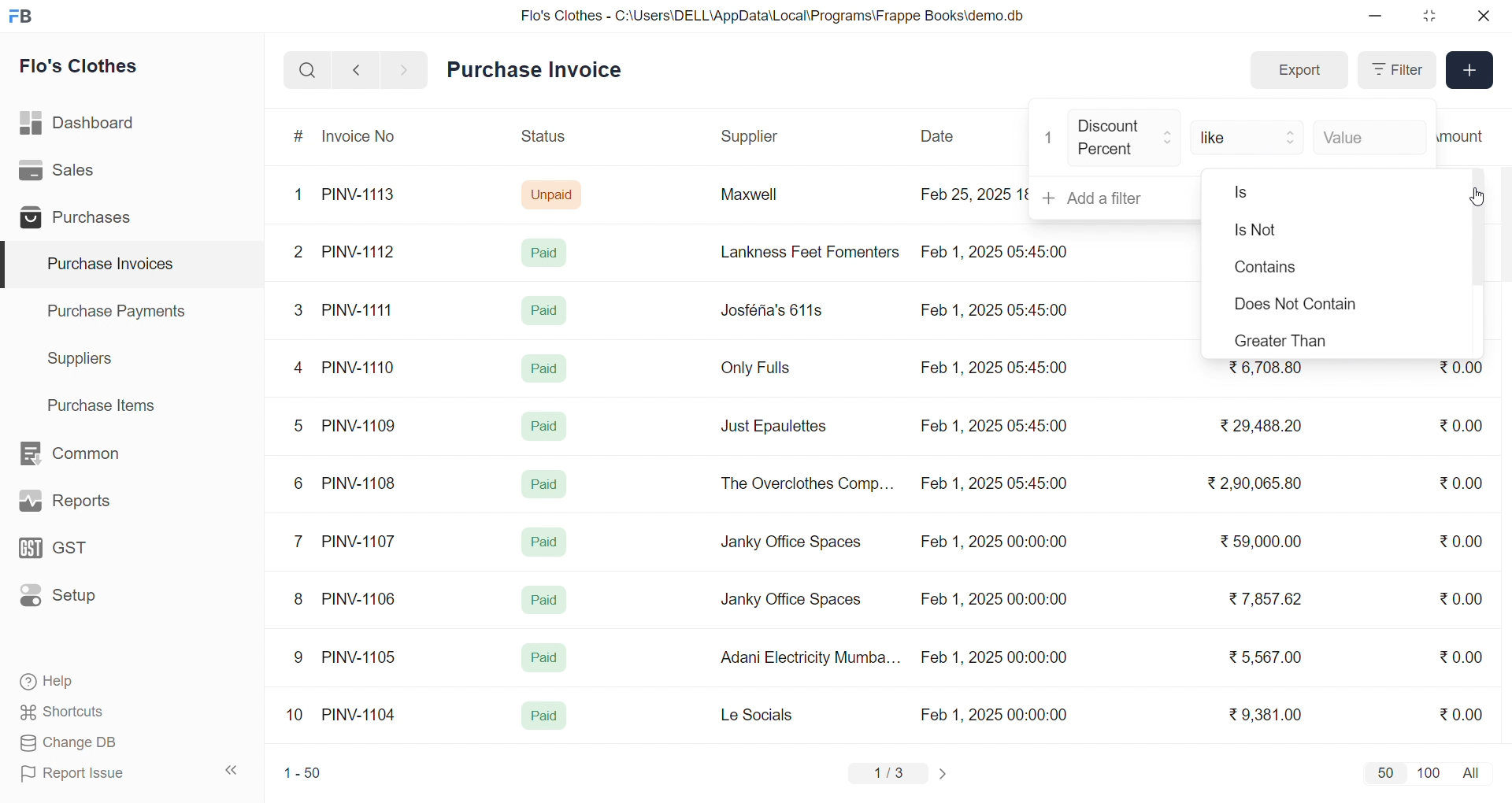 The width and height of the screenshot is (1512, 803). I want to click on Supplier, so click(752, 137).